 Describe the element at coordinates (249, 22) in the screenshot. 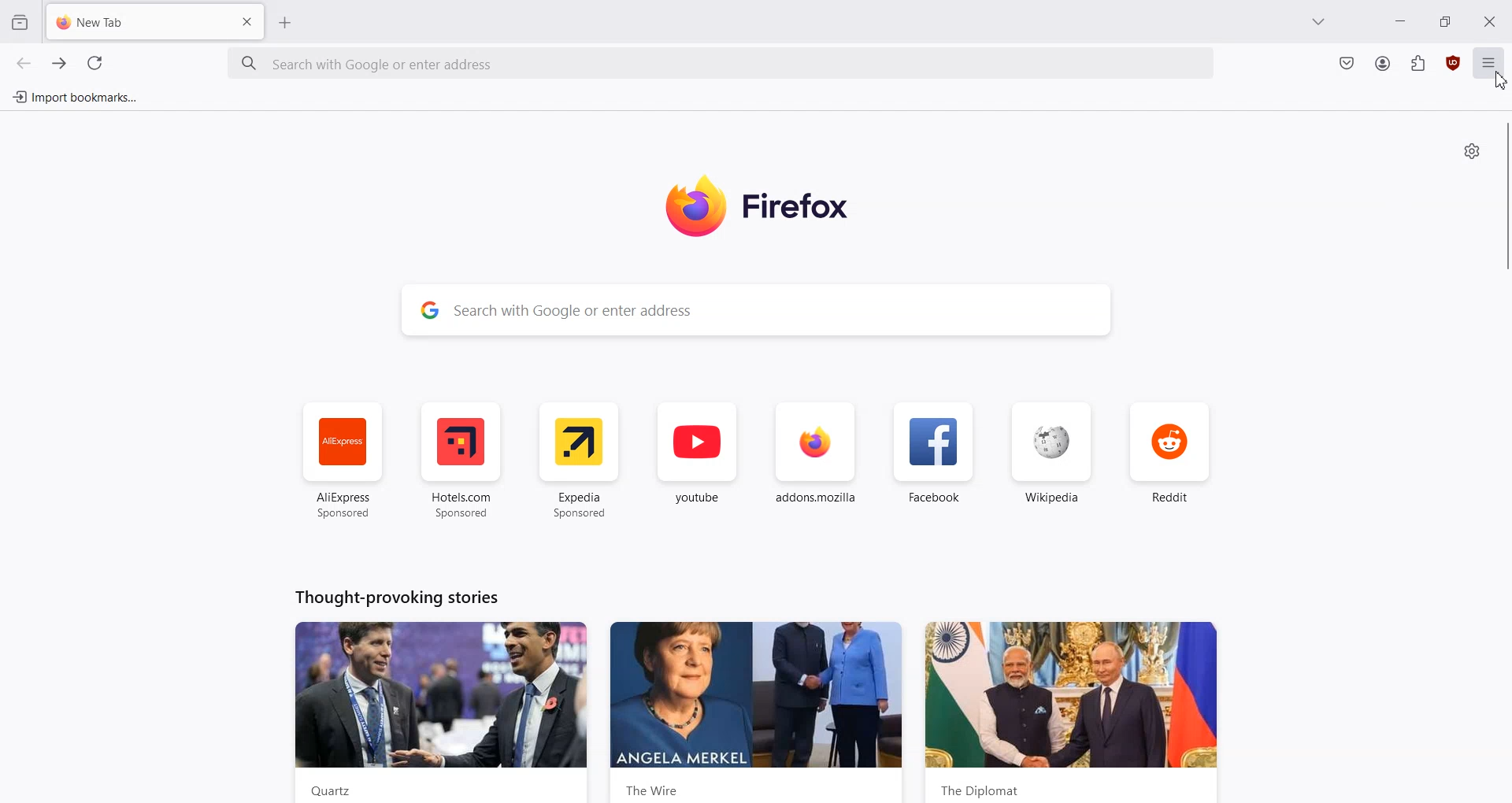

I see `Close Tab` at that location.